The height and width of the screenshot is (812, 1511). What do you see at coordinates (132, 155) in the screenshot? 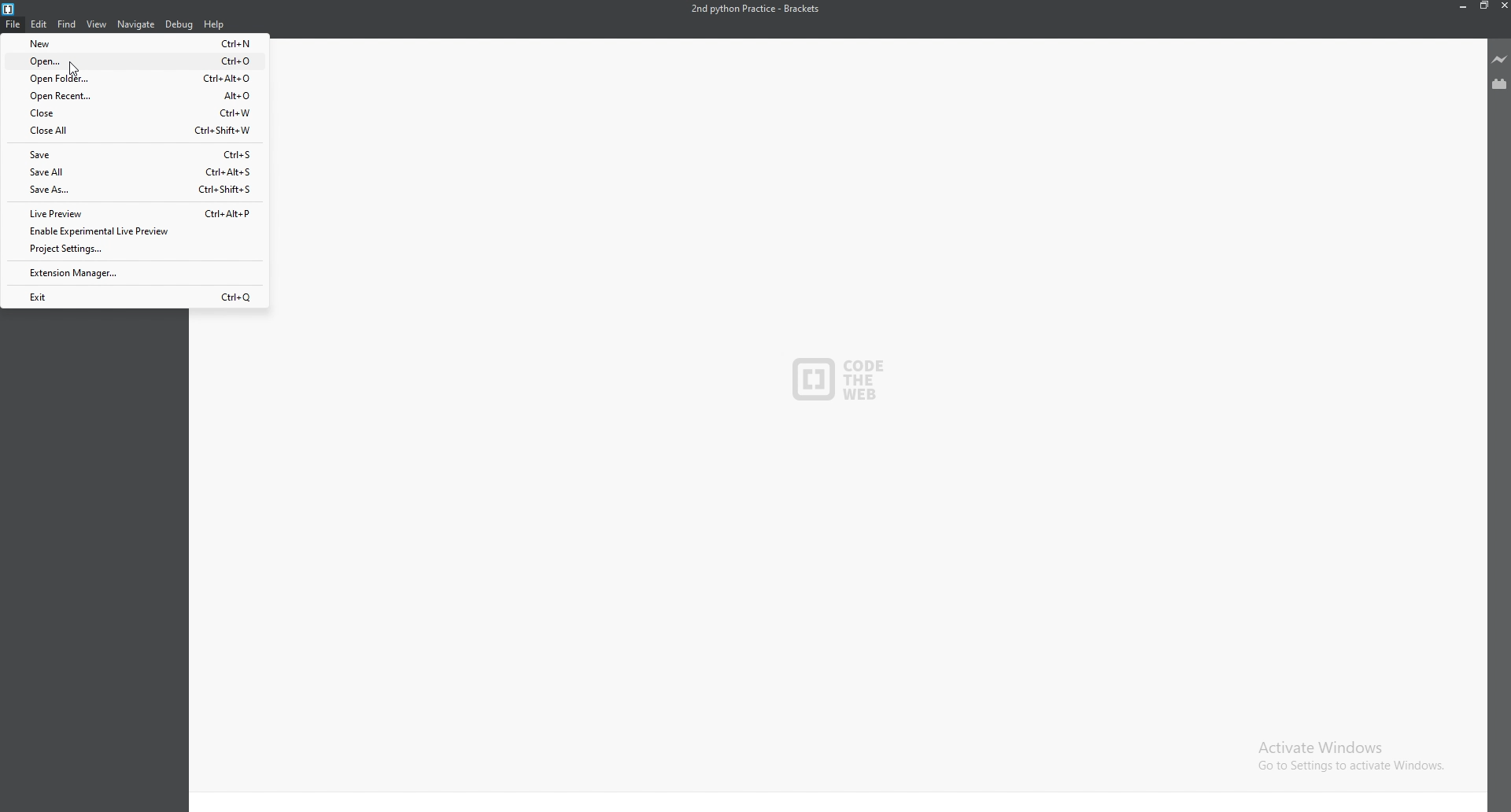
I see `save` at bounding box center [132, 155].